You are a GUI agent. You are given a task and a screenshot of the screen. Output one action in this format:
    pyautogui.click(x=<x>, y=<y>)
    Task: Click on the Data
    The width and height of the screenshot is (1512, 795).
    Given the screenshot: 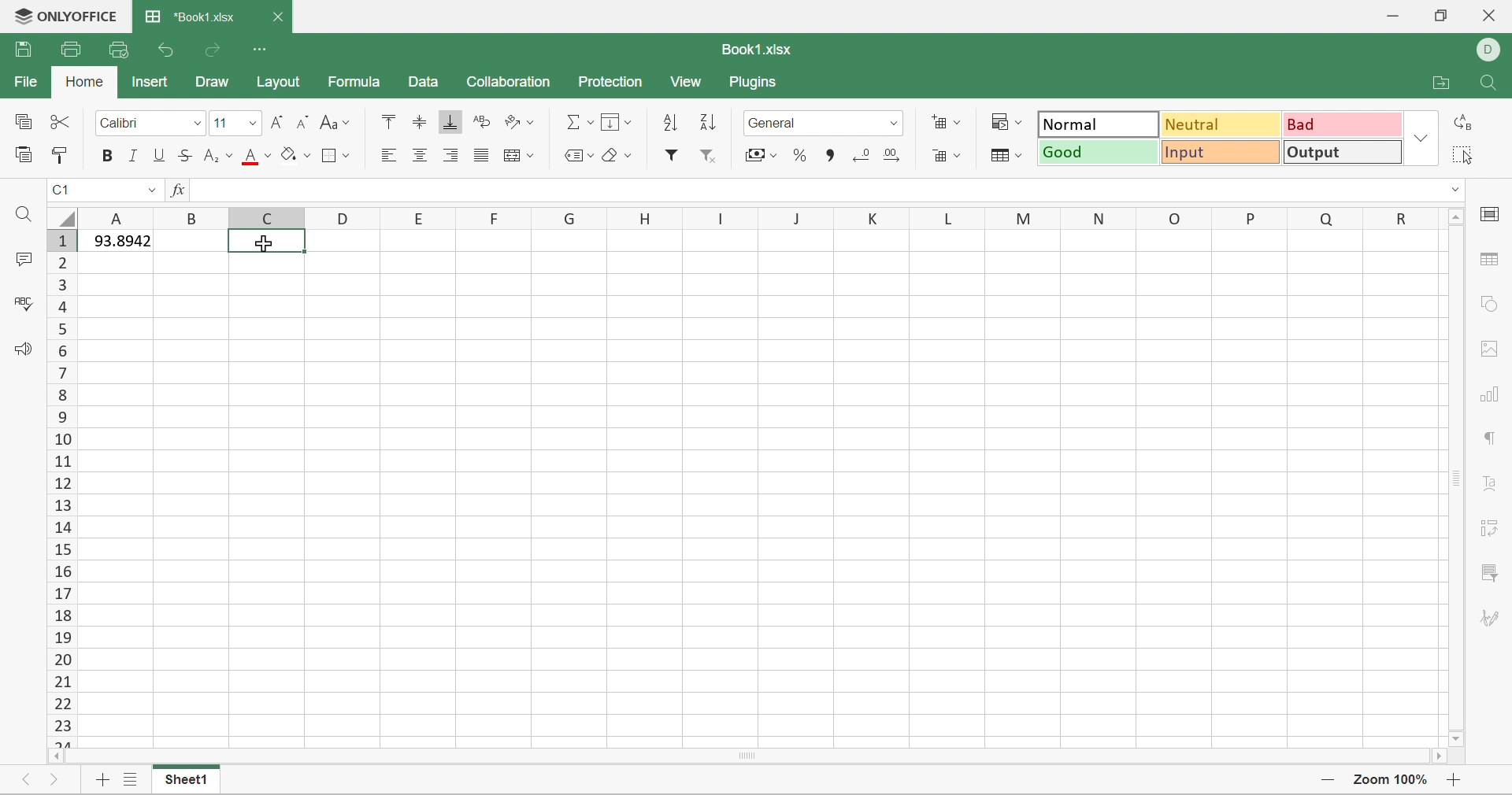 What is the action you would take?
    pyautogui.click(x=419, y=83)
    